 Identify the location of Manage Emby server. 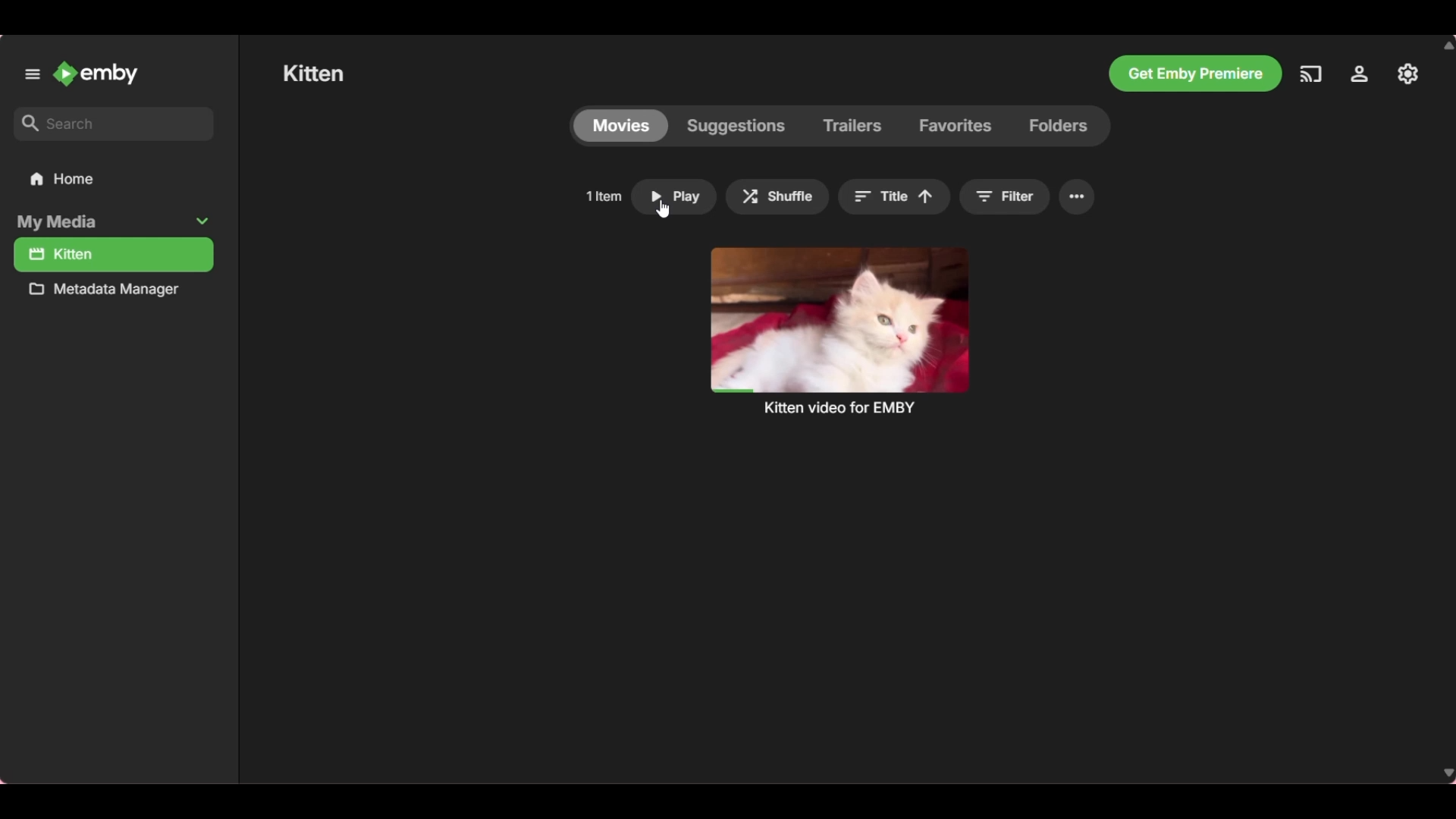
(1405, 74).